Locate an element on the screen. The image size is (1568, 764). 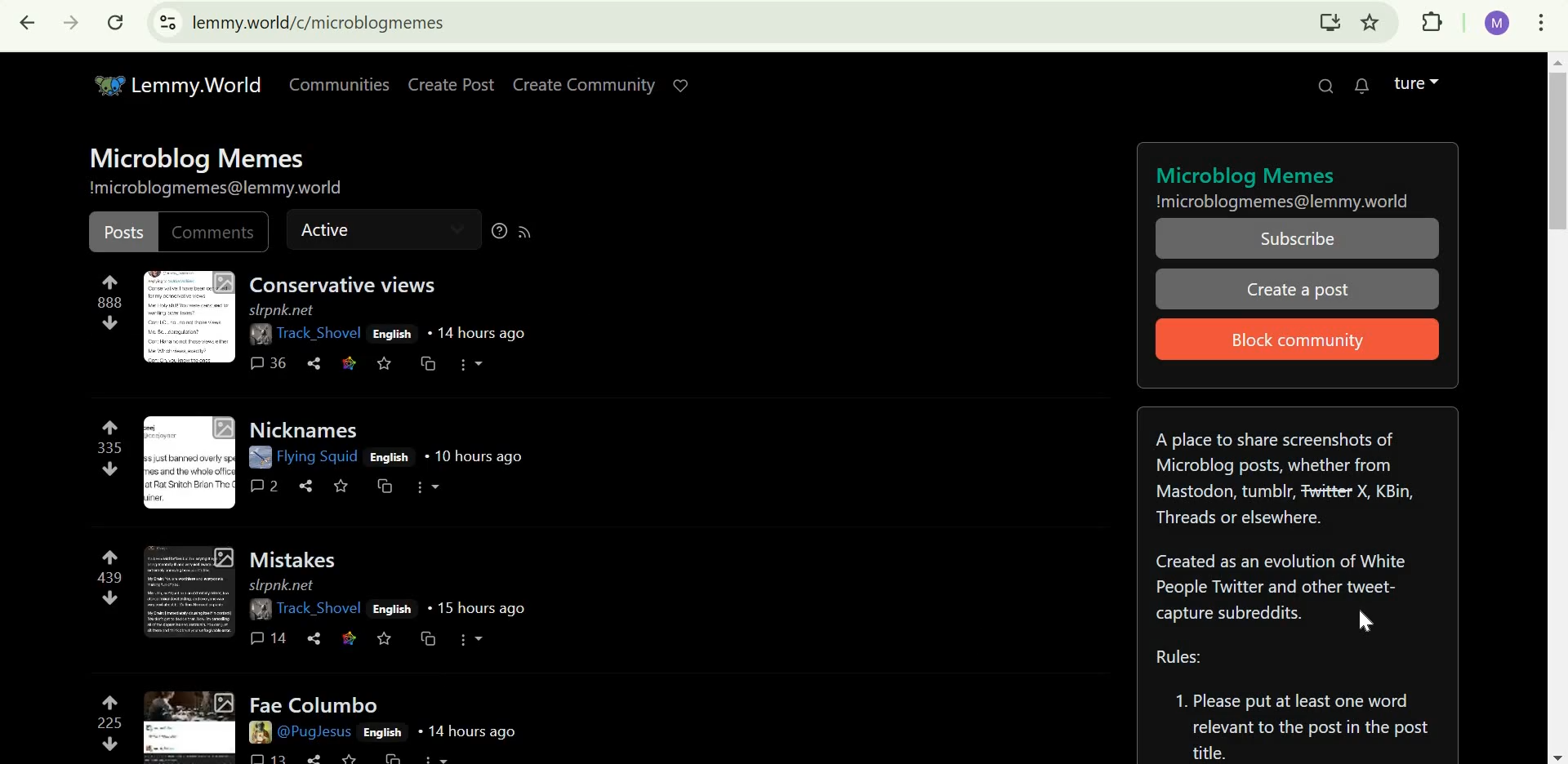
 Lemmy.World is located at coordinates (170, 87).